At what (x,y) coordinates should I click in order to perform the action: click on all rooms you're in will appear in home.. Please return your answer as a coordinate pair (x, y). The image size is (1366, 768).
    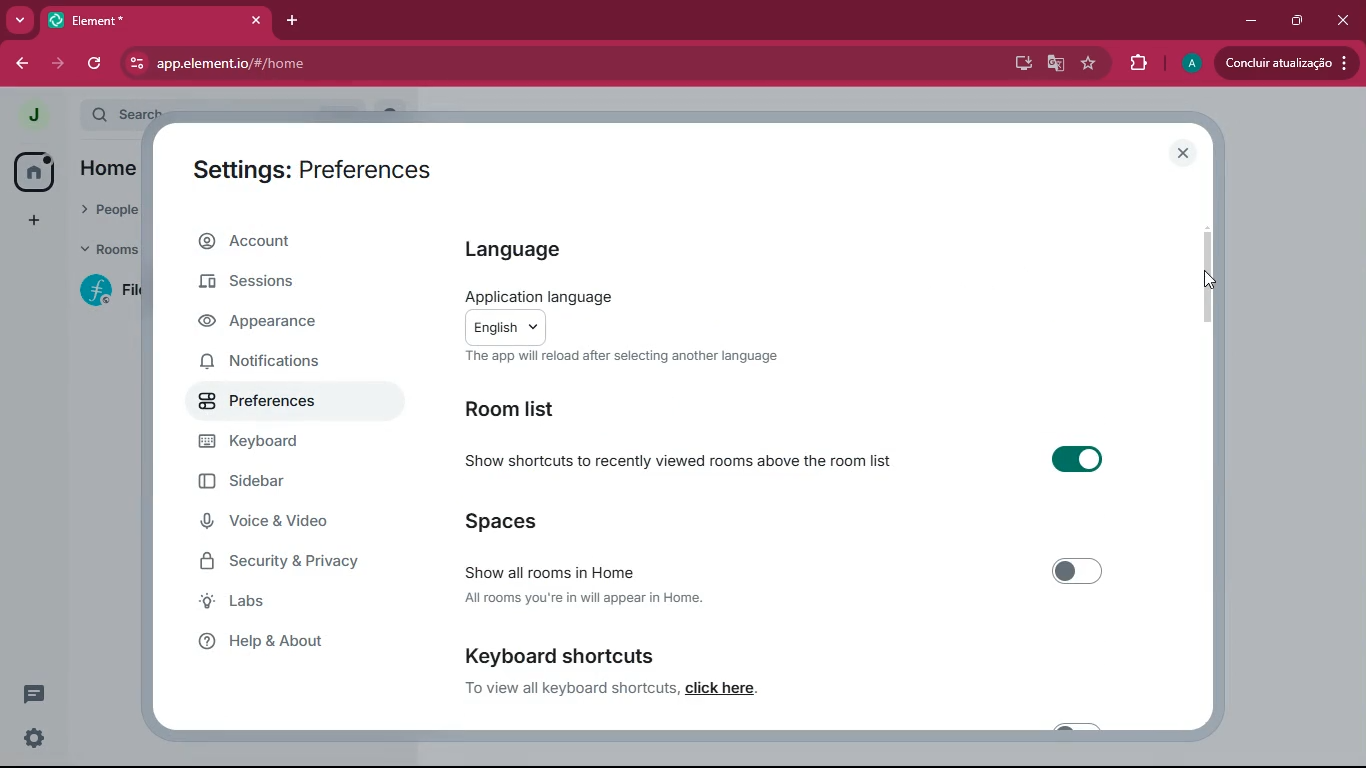
    Looking at the image, I should click on (585, 597).